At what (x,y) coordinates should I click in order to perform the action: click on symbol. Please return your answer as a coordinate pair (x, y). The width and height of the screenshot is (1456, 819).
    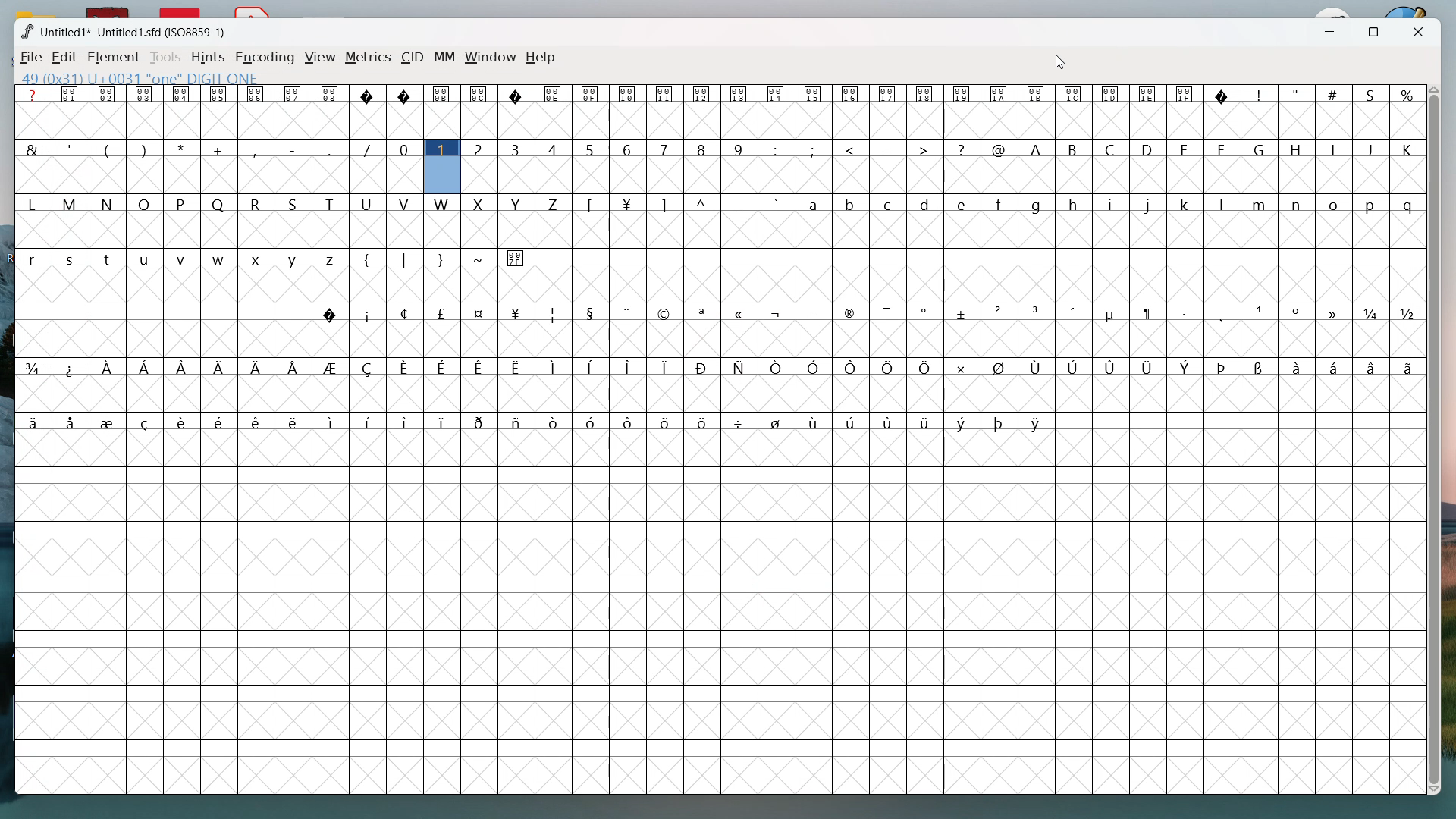
    Looking at the image, I should click on (482, 421).